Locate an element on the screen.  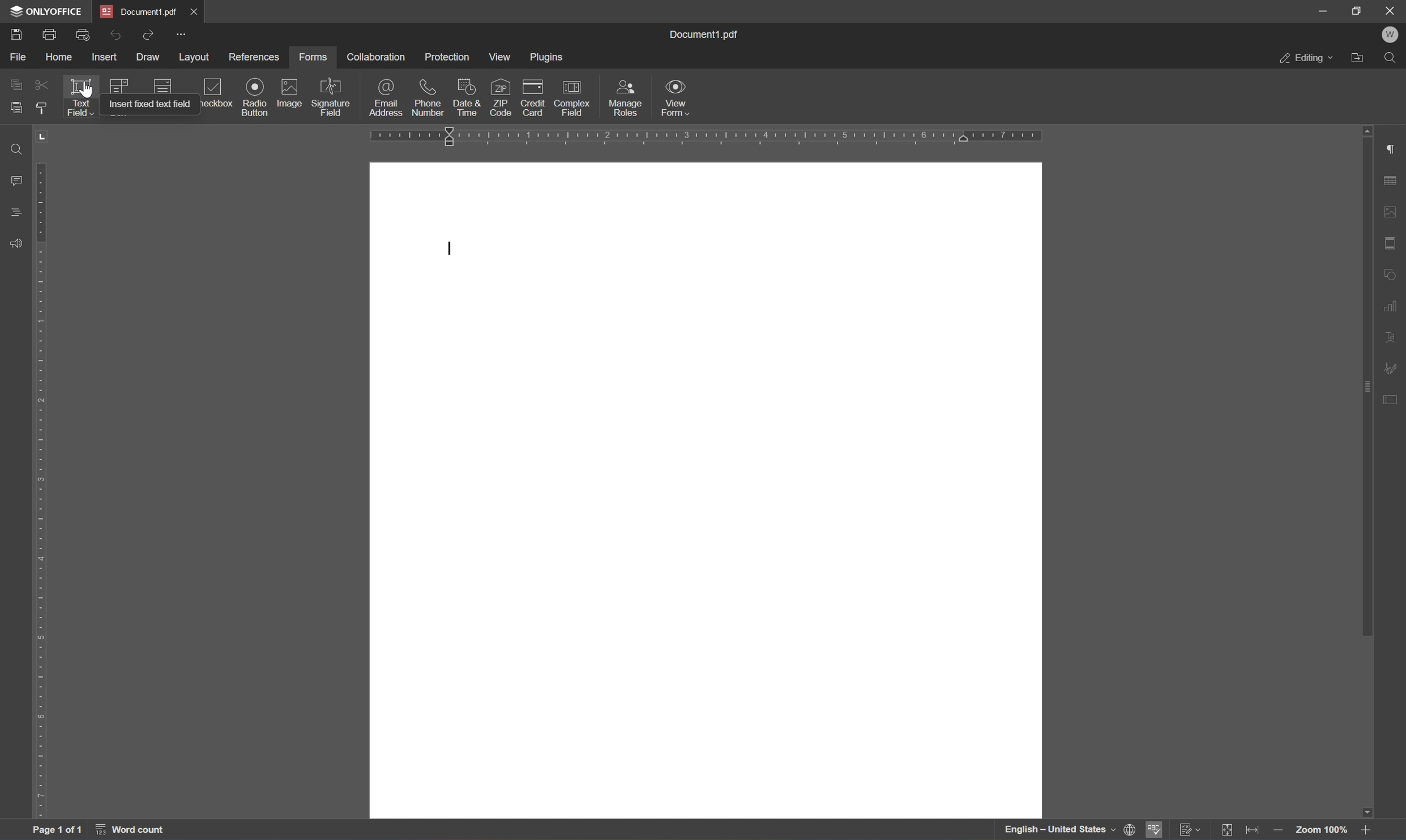
restore down is located at coordinates (1355, 11).